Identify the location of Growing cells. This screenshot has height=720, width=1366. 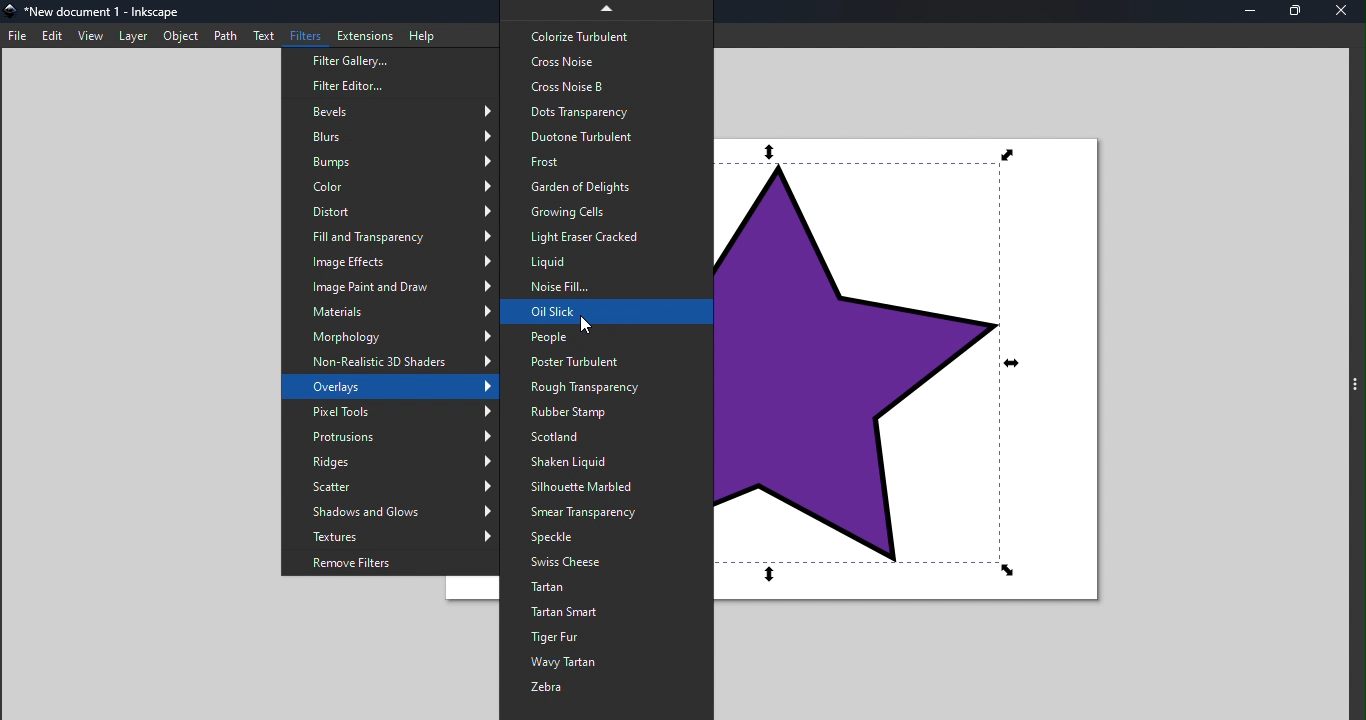
(605, 210).